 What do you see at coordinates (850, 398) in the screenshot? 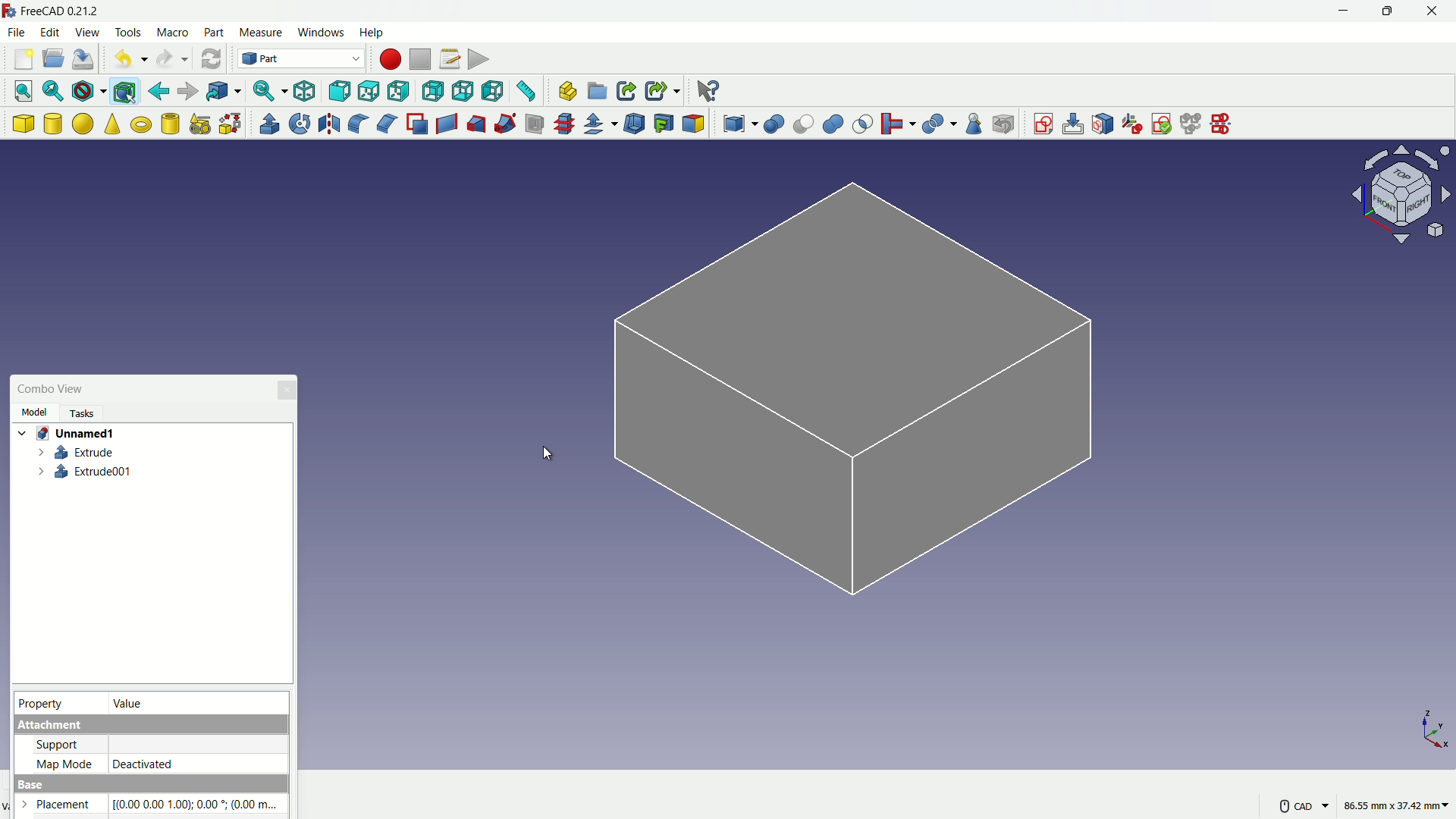
I see `sketch` at bounding box center [850, 398].